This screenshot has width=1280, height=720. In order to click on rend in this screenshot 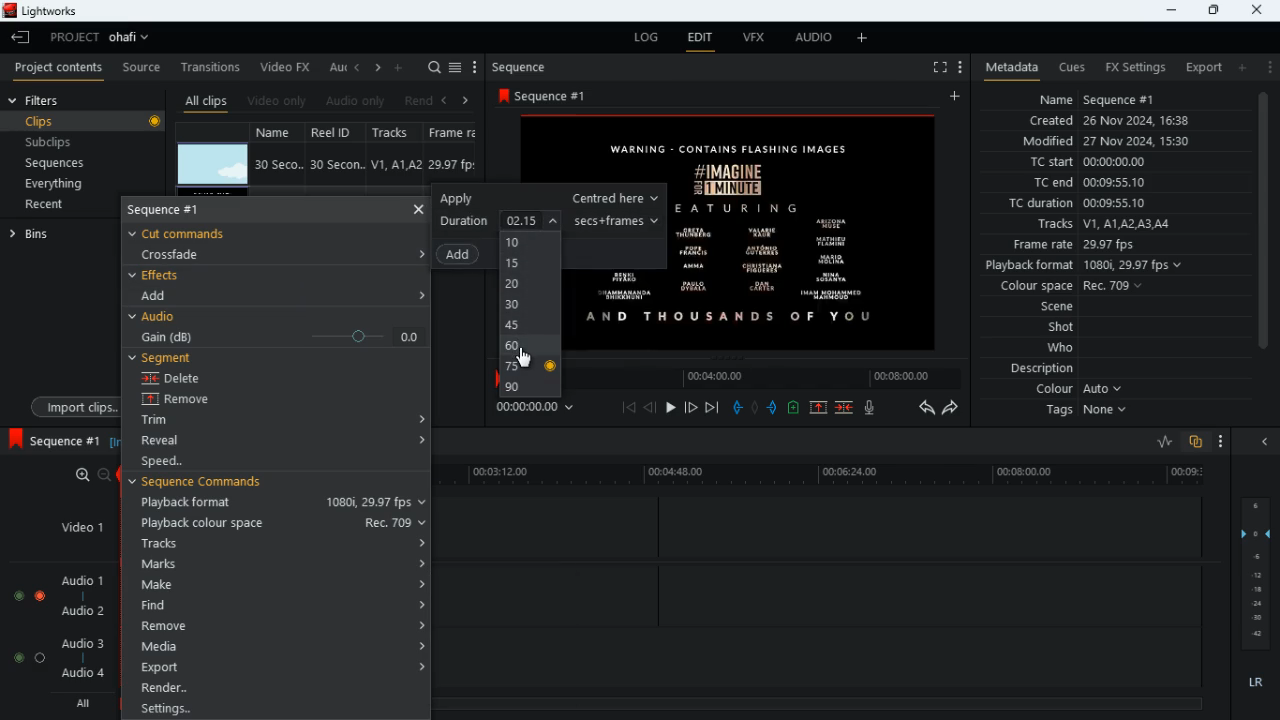, I will do `click(418, 102)`.